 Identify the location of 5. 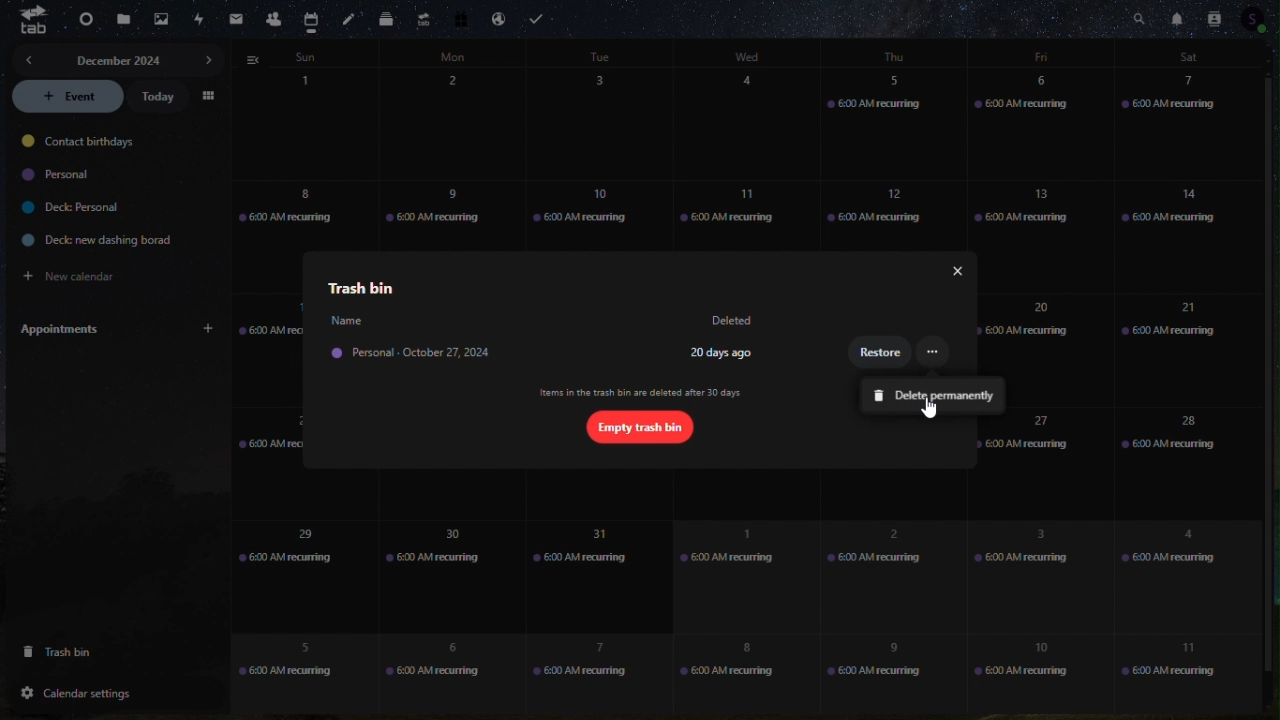
(288, 660).